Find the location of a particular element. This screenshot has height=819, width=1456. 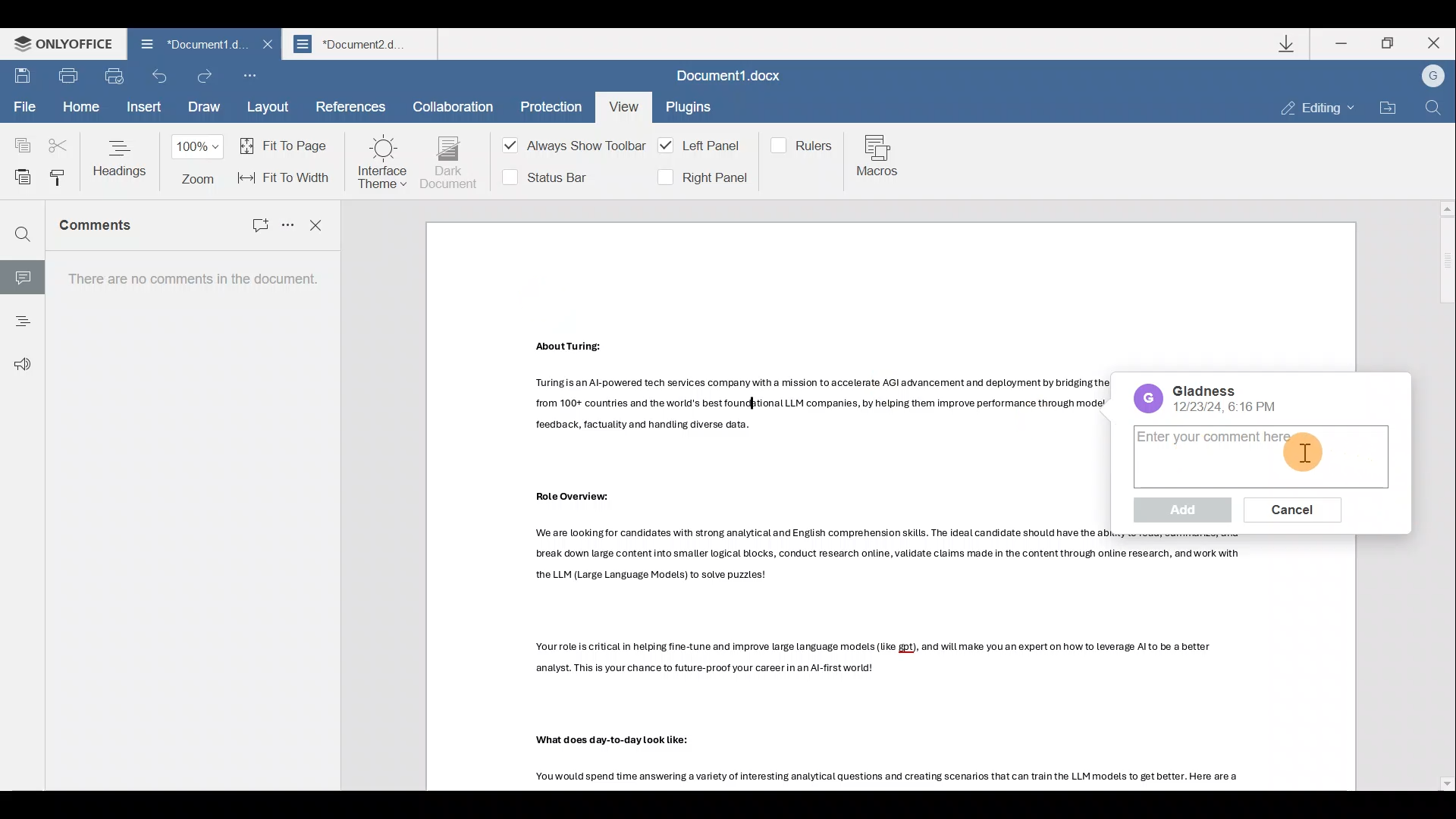

Copy is located at coordinates (17, 139).